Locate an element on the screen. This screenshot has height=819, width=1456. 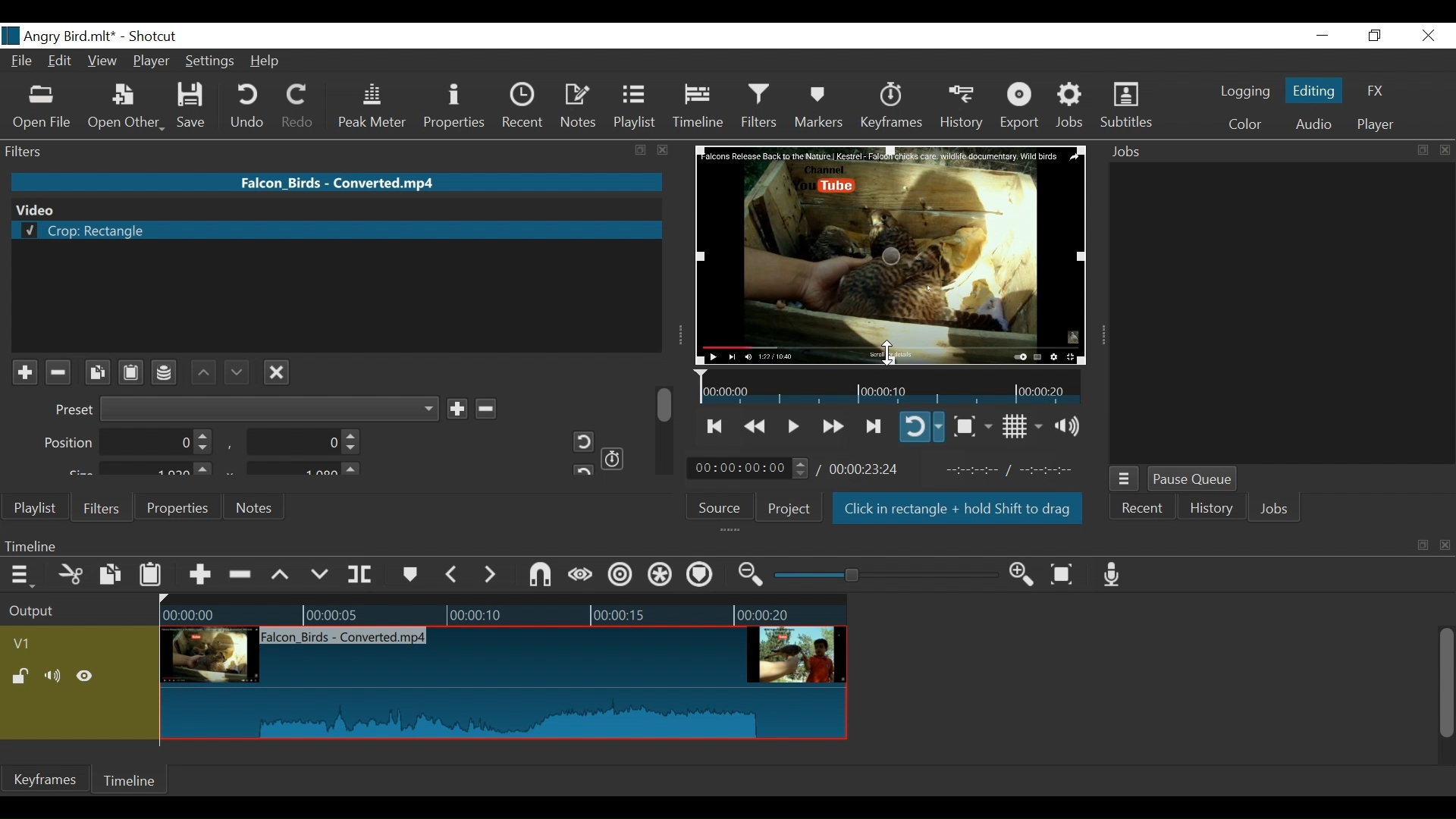
Properties is located at coordinates (457, 108).